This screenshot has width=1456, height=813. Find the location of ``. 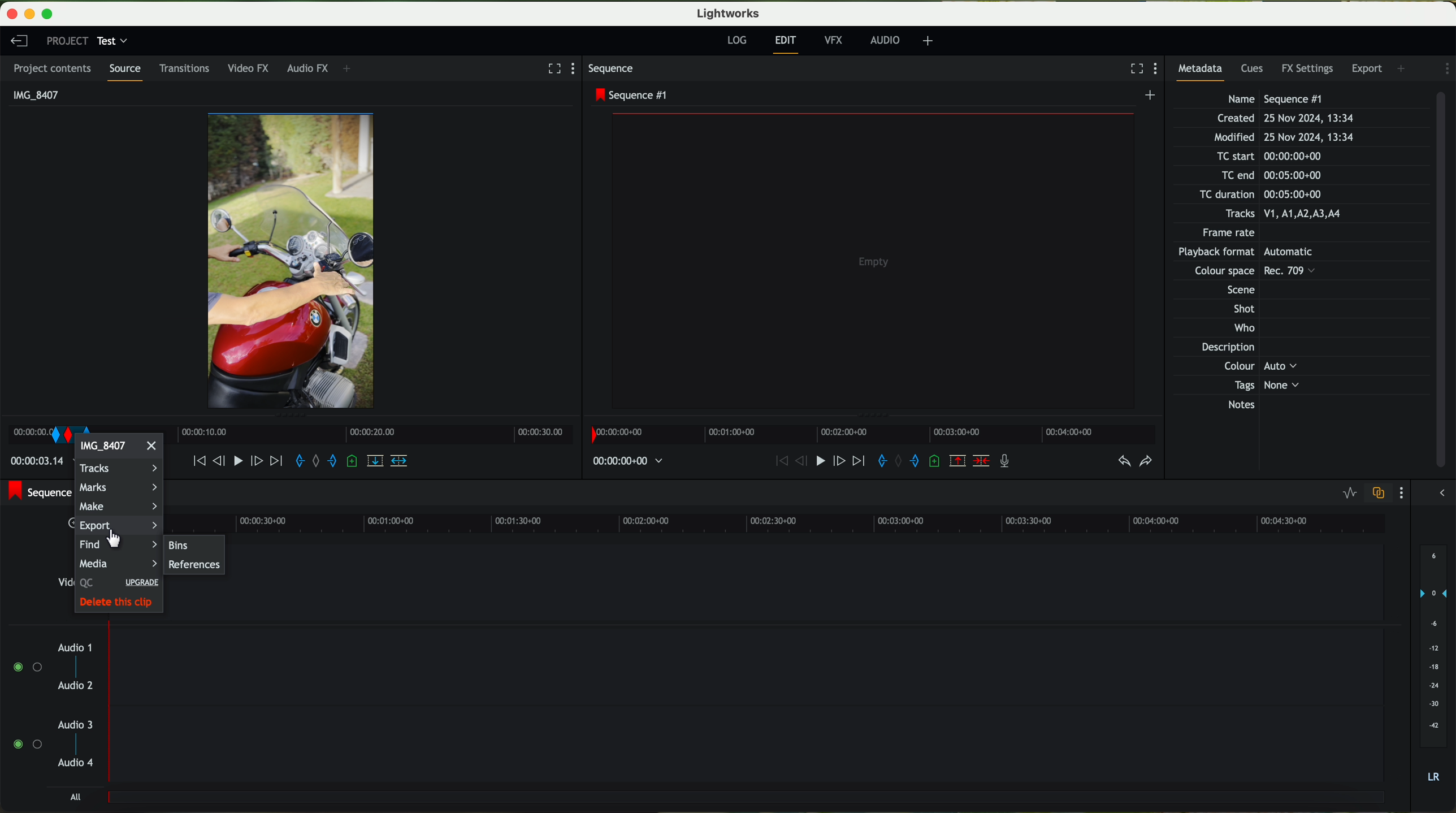

 is located at coordinates (1256, 253).